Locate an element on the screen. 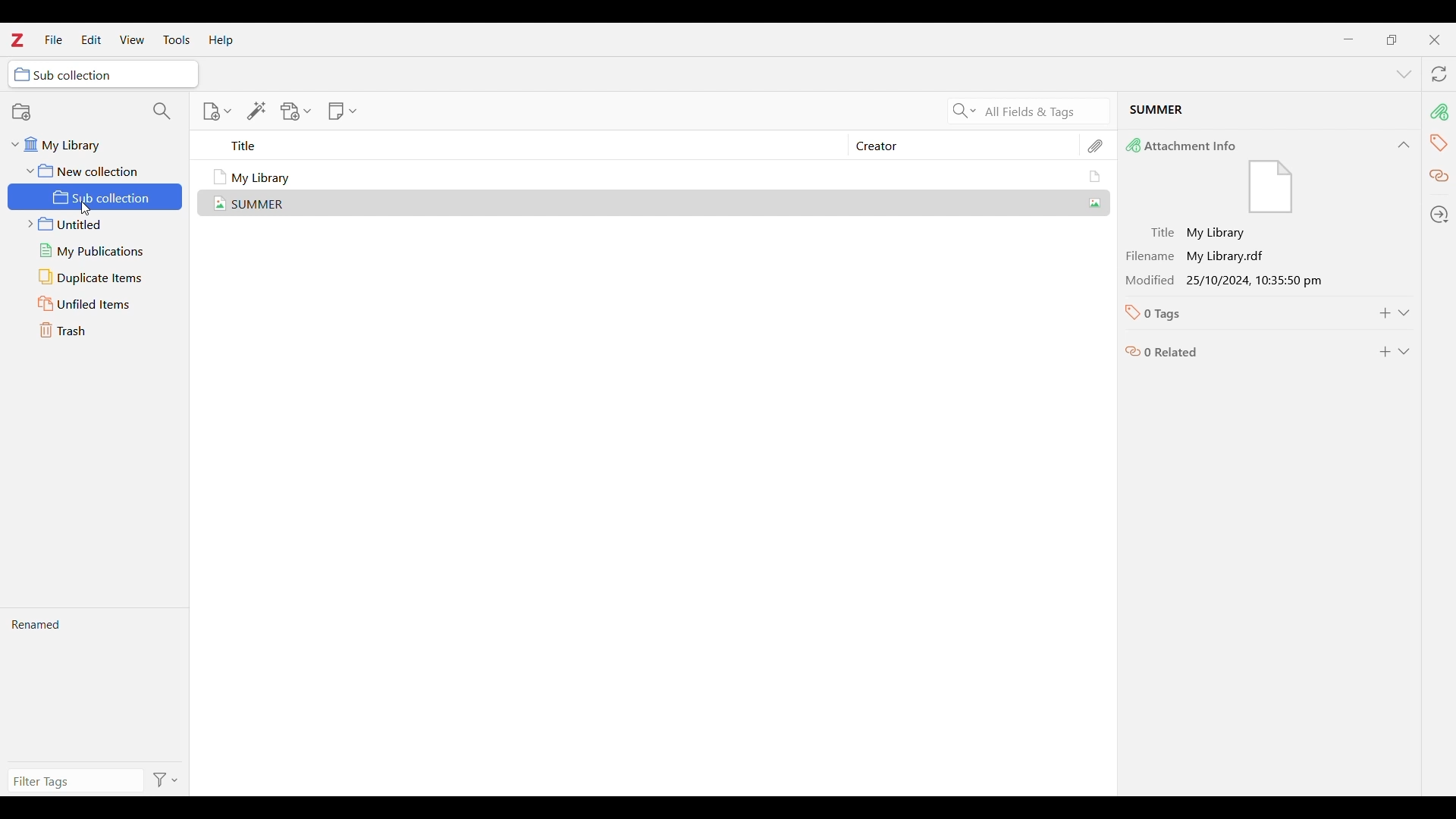  Expand is located at coordinates (1404, 313).